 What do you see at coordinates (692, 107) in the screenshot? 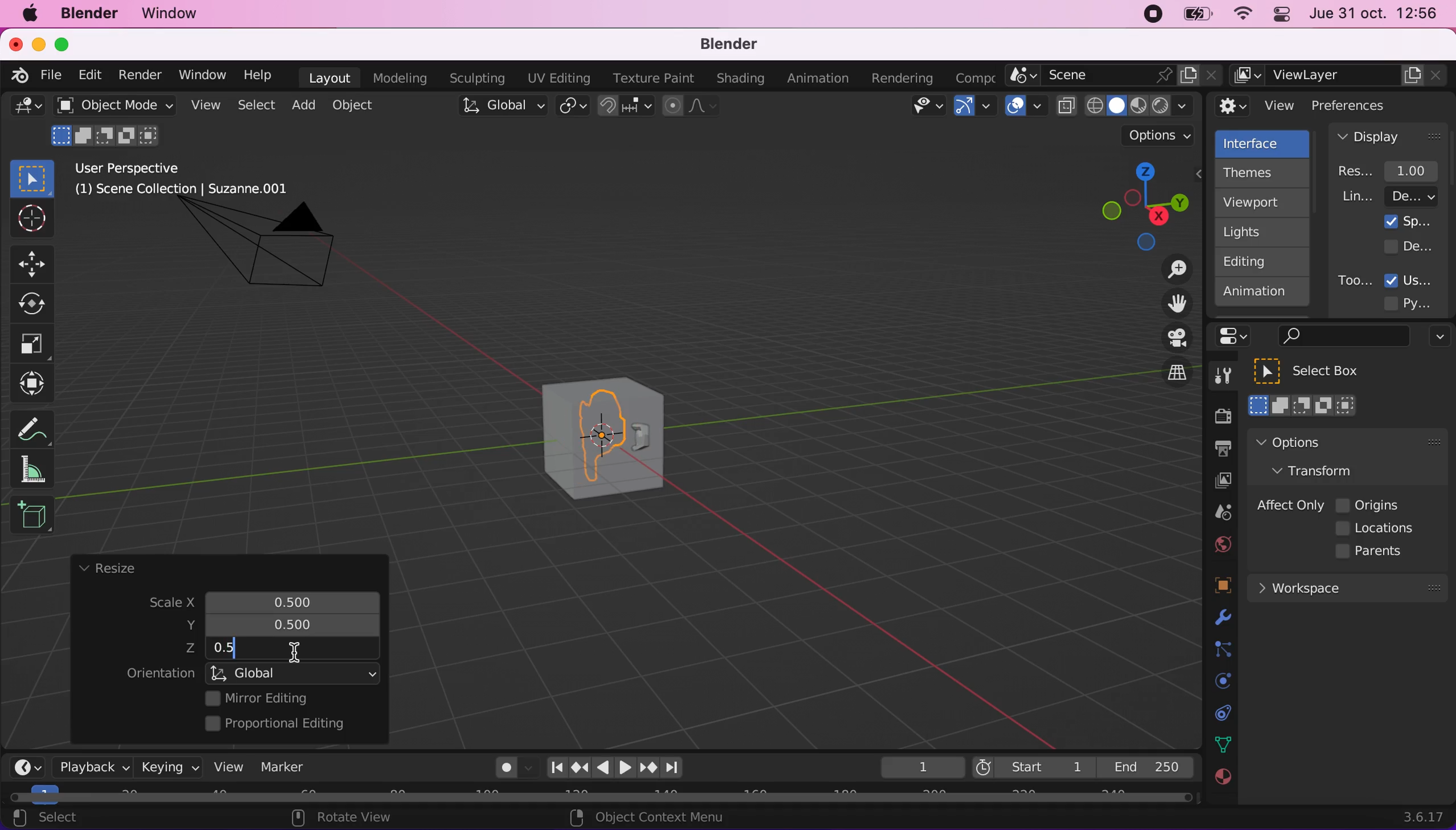
I see `proportional editing objects` at bounding box center [692, 107].